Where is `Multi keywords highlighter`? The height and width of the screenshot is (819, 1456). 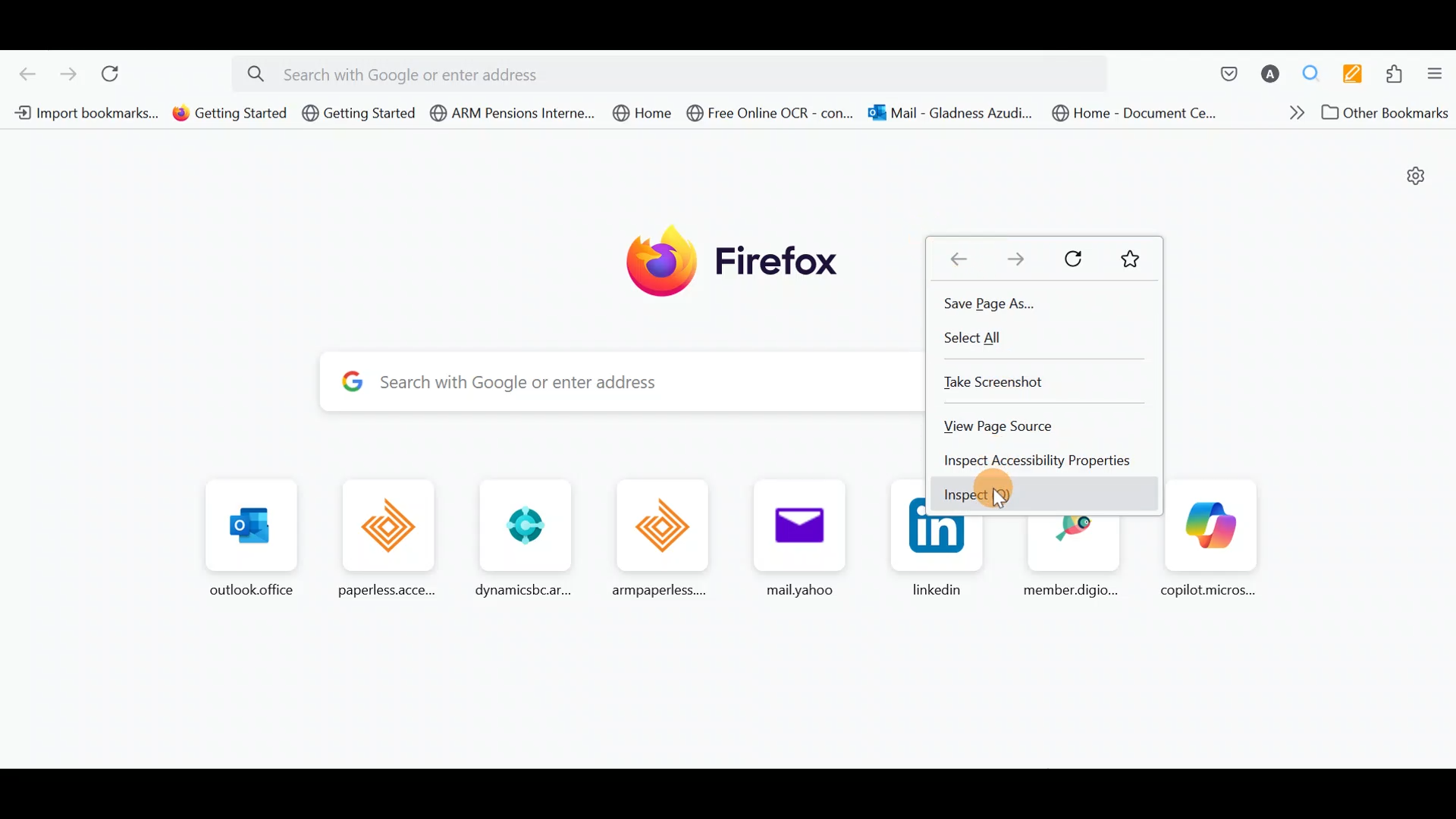
Multi keywords highlighter is located at coordinates (1357, 74).